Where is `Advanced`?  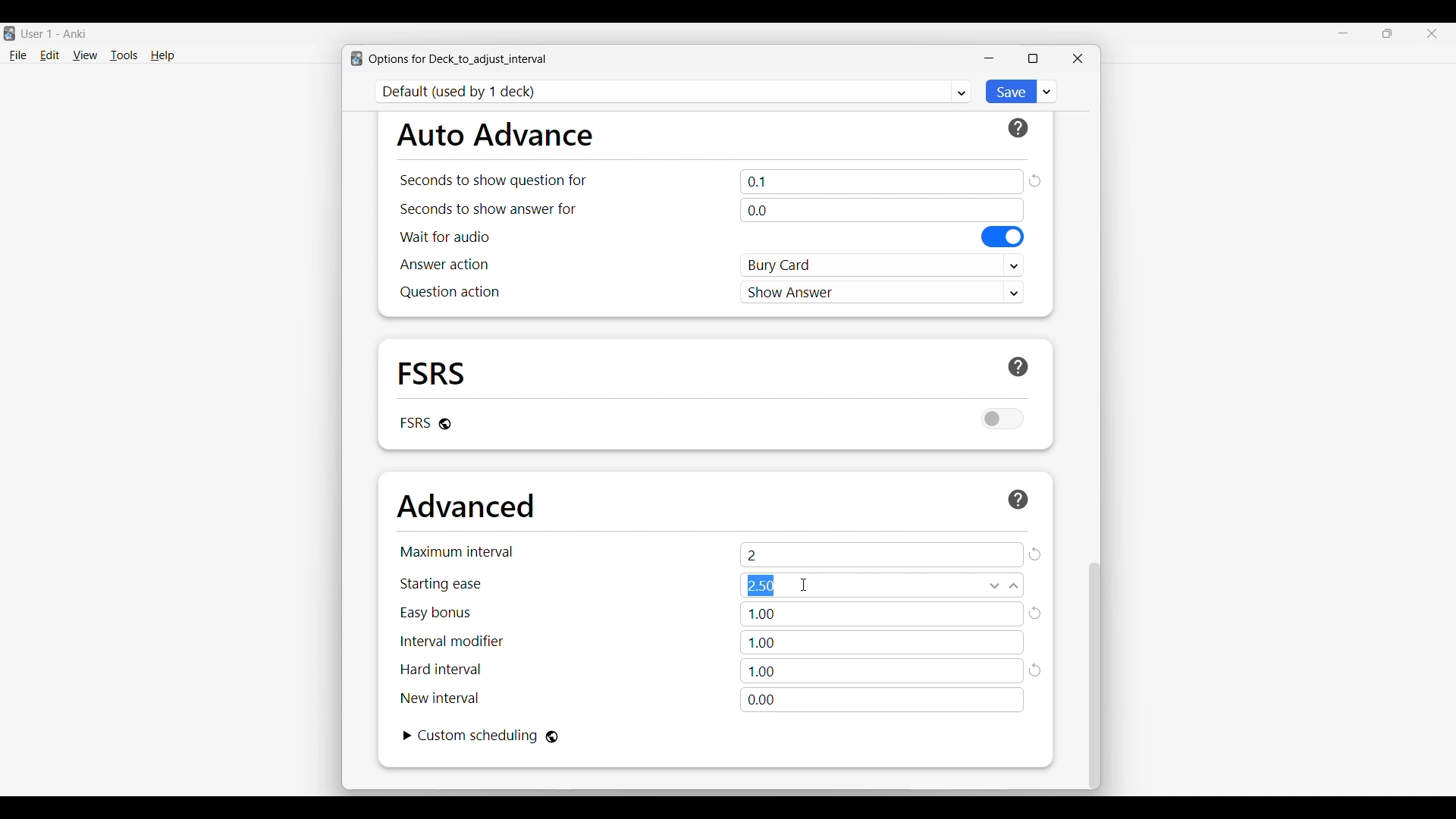 Advanced is located at coordinates (466, 506).